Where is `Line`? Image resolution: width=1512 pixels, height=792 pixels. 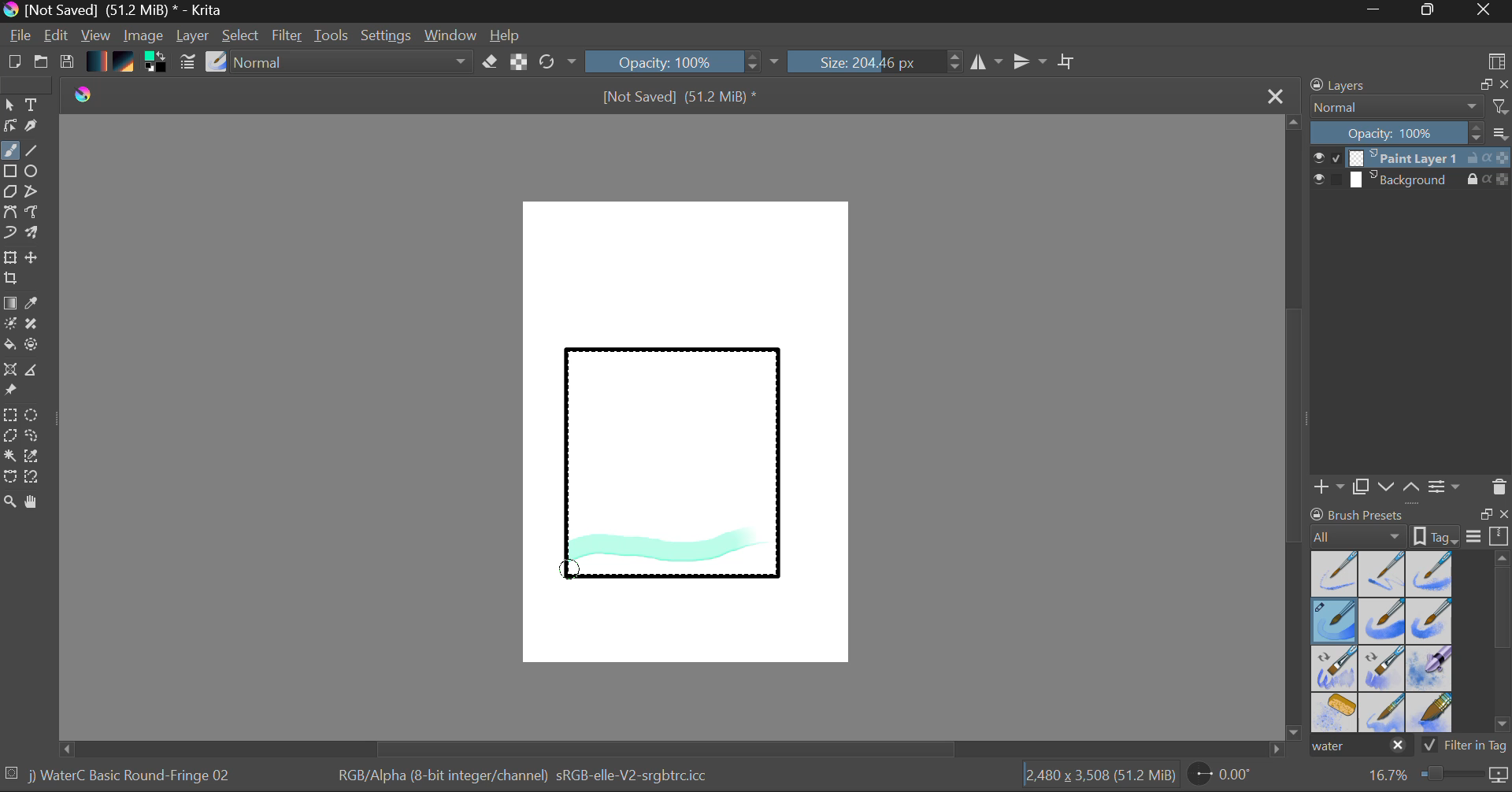
Line is located at coordinates (32, 151).